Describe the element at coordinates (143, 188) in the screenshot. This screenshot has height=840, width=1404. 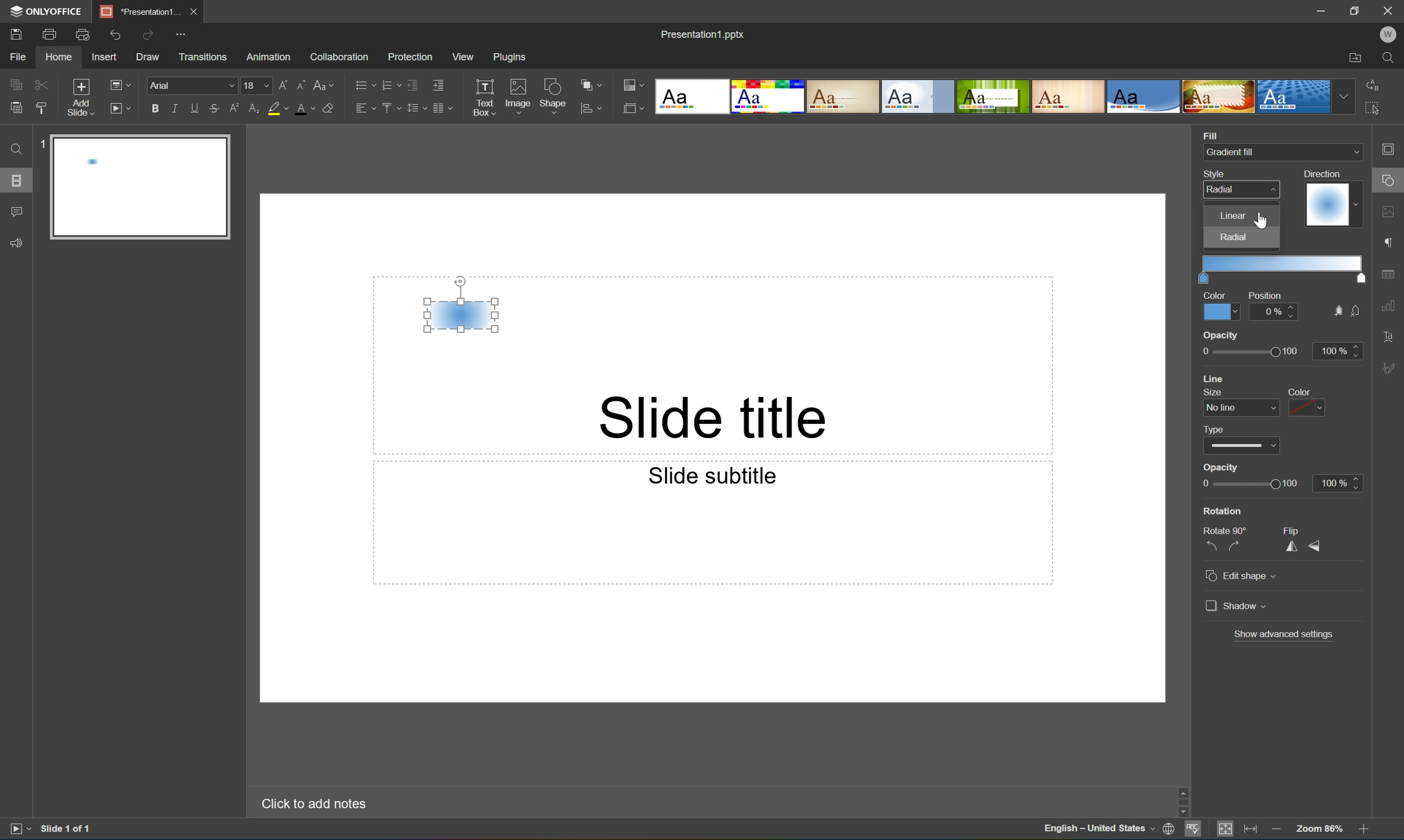
I see `Slide` at that location.